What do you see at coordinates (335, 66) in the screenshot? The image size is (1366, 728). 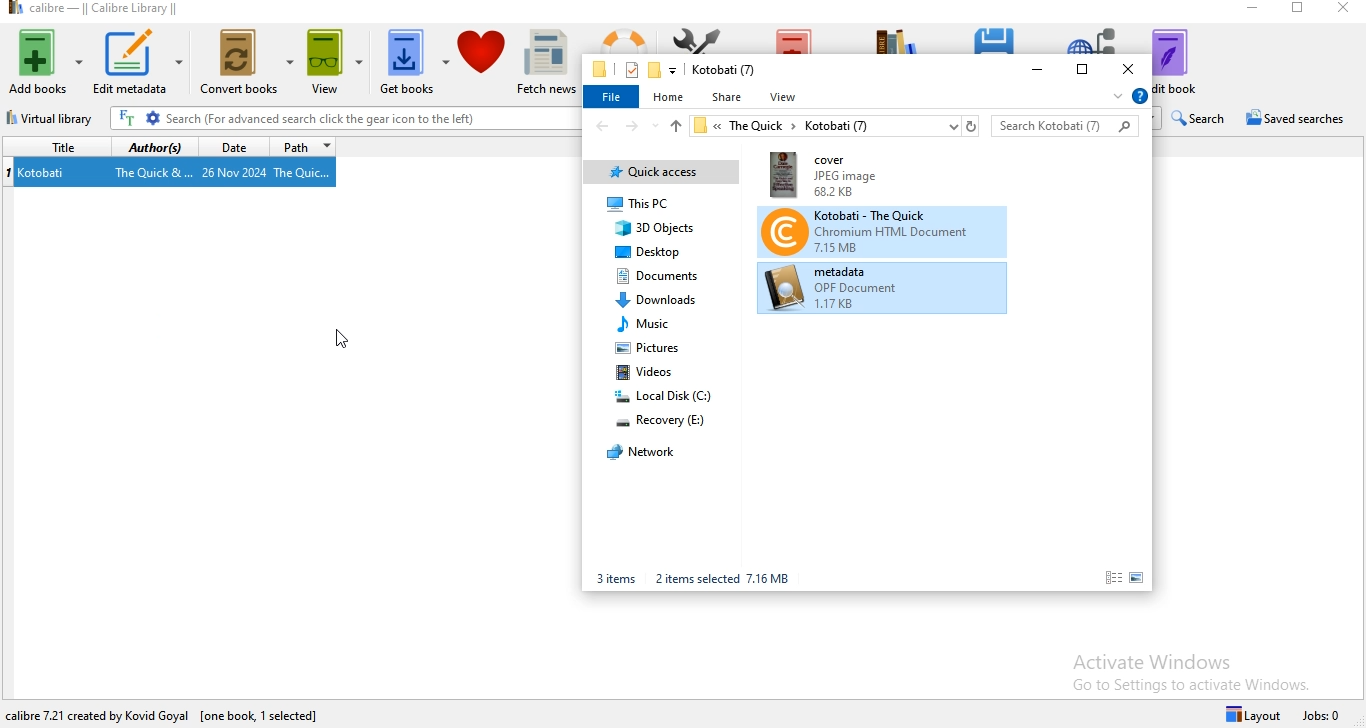 I see `view` at bounding box center [335, 66].